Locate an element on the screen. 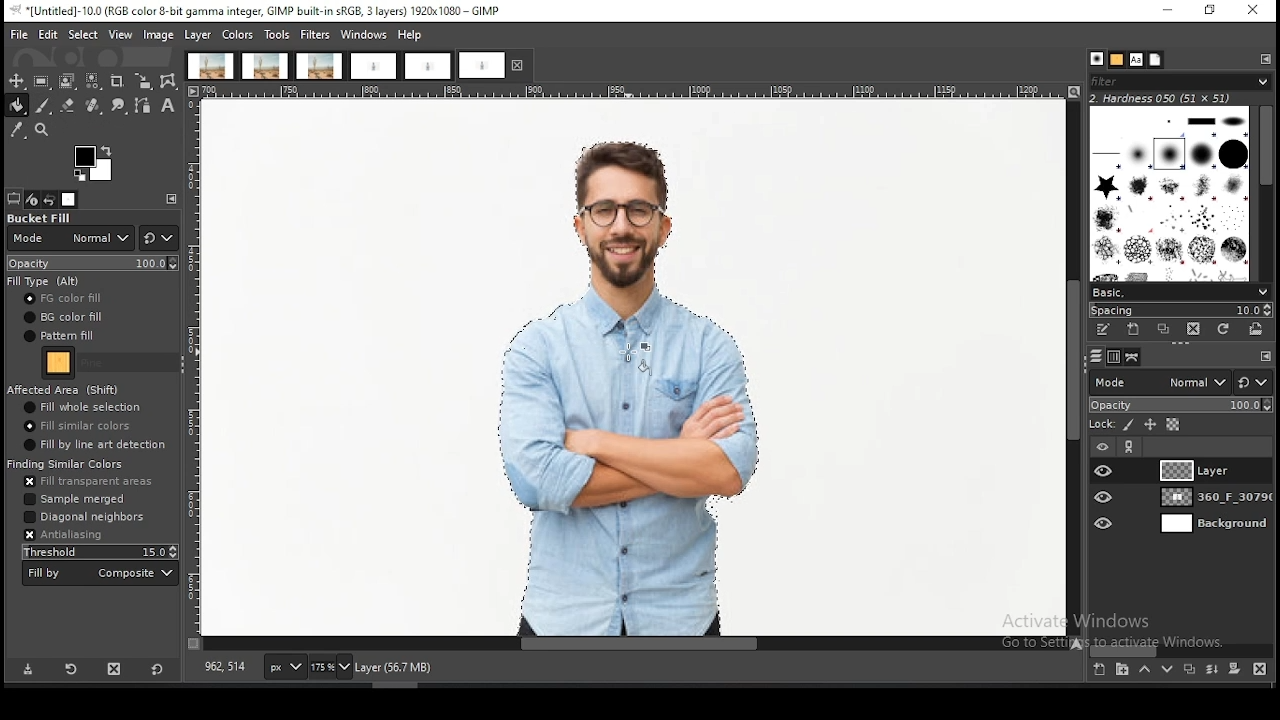 The image size is (1280, 720). project tab is located at coordinates (495, 65).